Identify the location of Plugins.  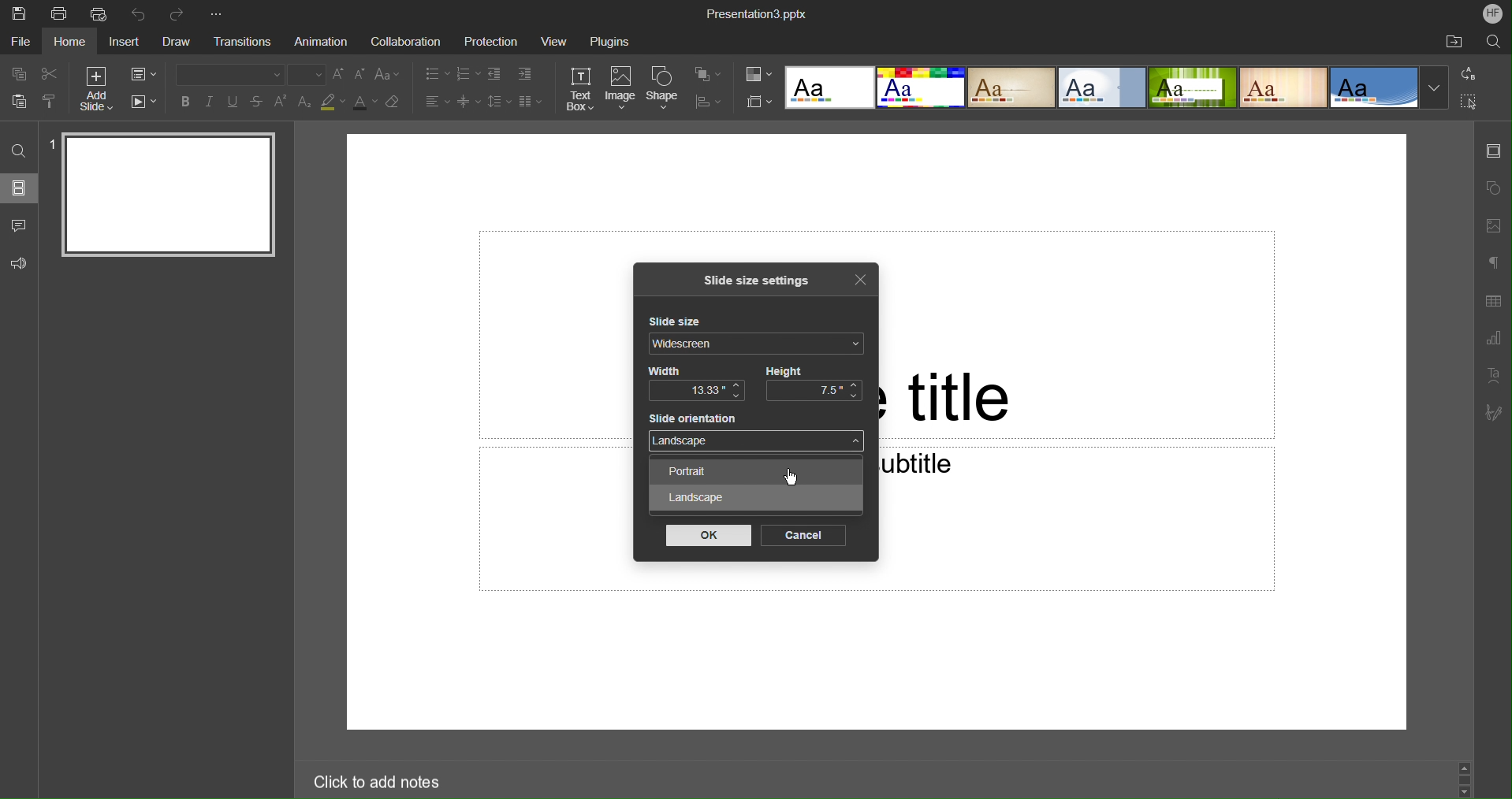
(609, 43).